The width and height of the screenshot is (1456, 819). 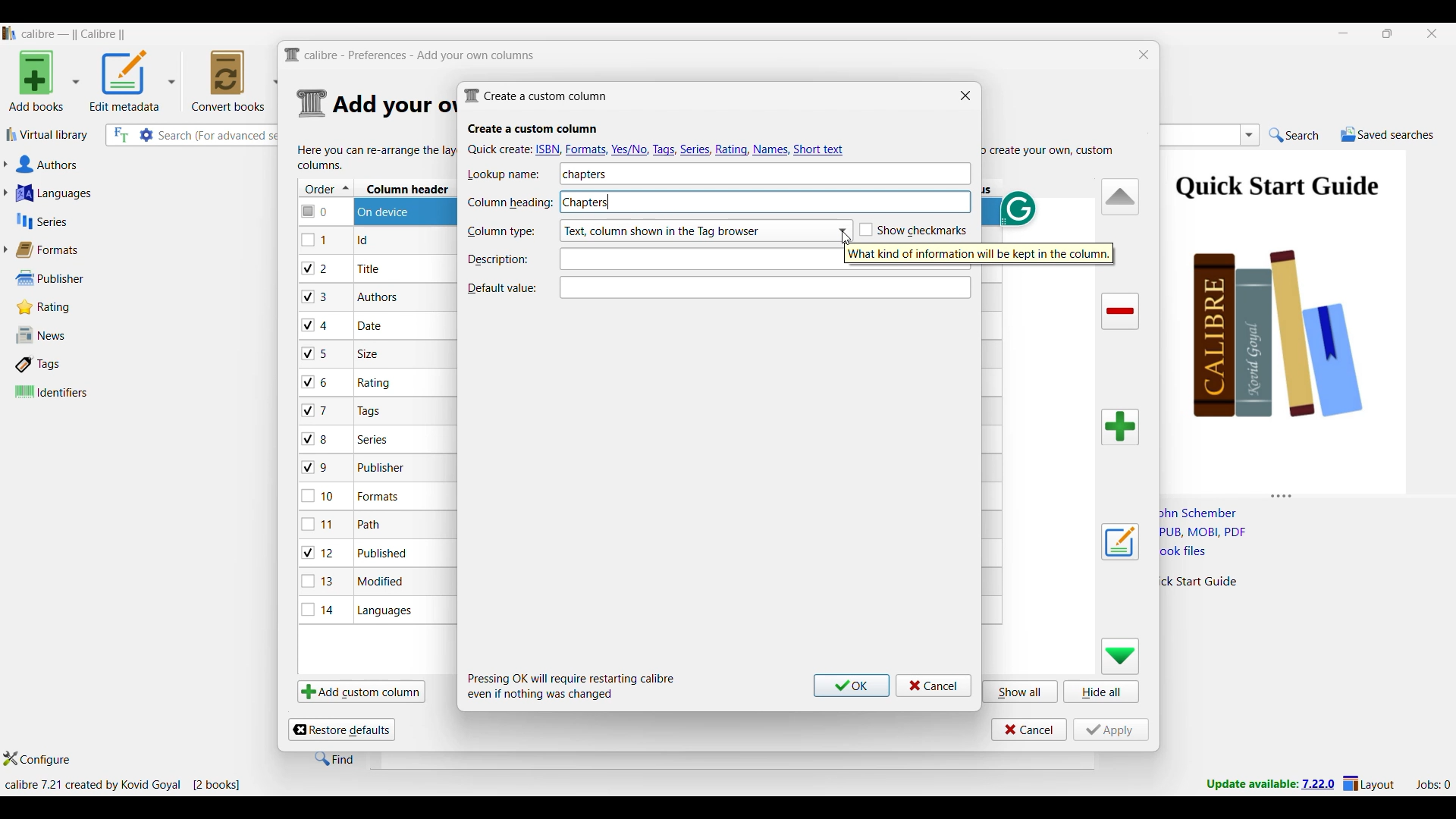 I want to click on Indicates Column heading text box, so click(x=510, y=203).